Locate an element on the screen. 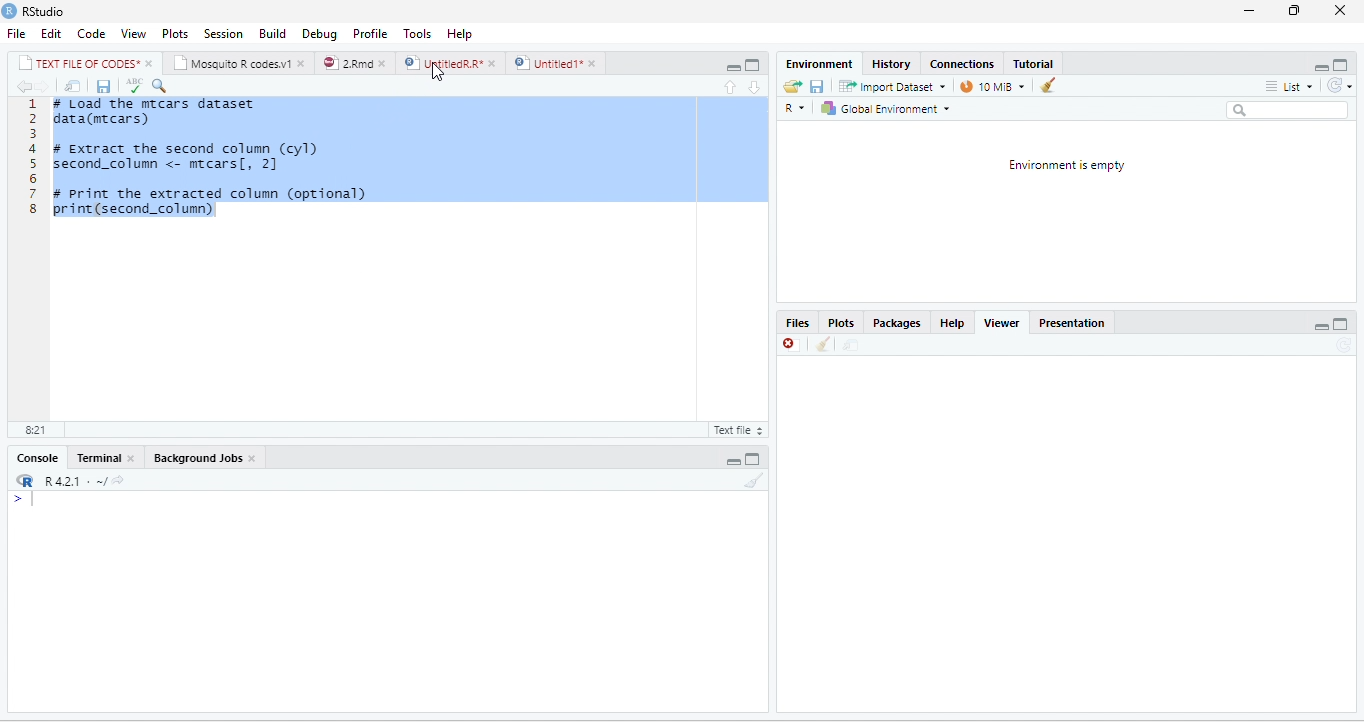 Image resolution: width=1364 pixels, height=722 pixels. File is located at coordinates (15, 33).